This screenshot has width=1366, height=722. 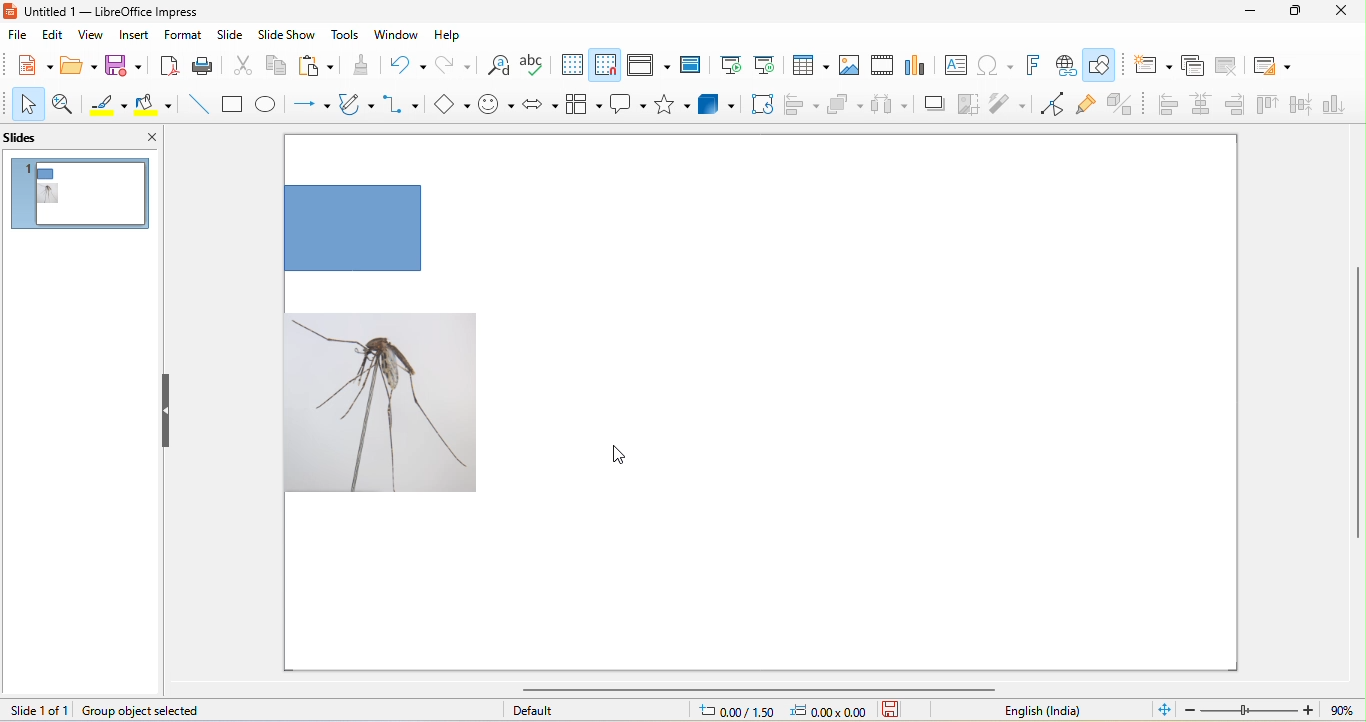 I want to click on redo, so click(x=453, y=64).